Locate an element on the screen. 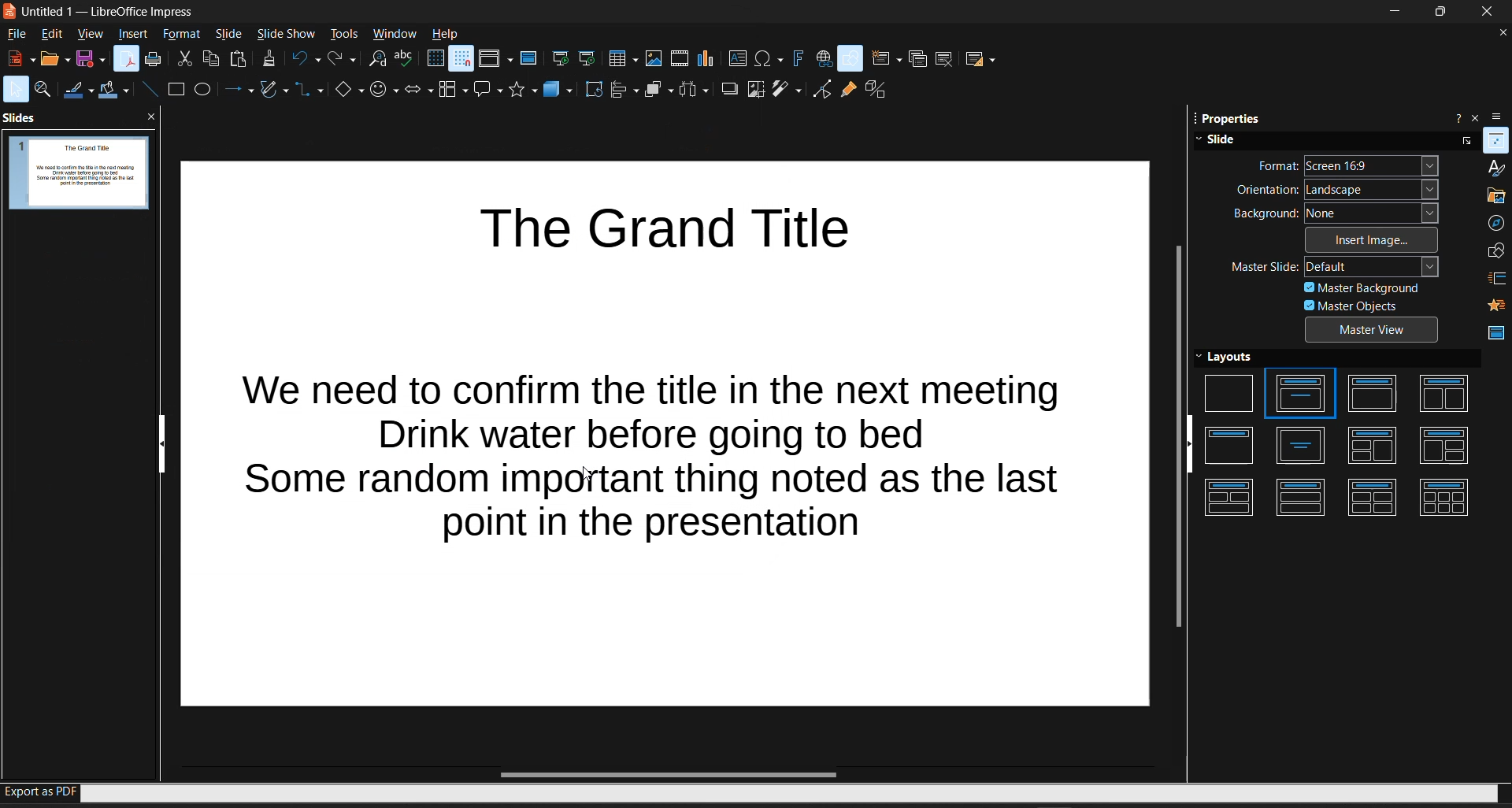 This screenshot has height=808, width=1512. basic shapes is located at coordinates (349, 91).